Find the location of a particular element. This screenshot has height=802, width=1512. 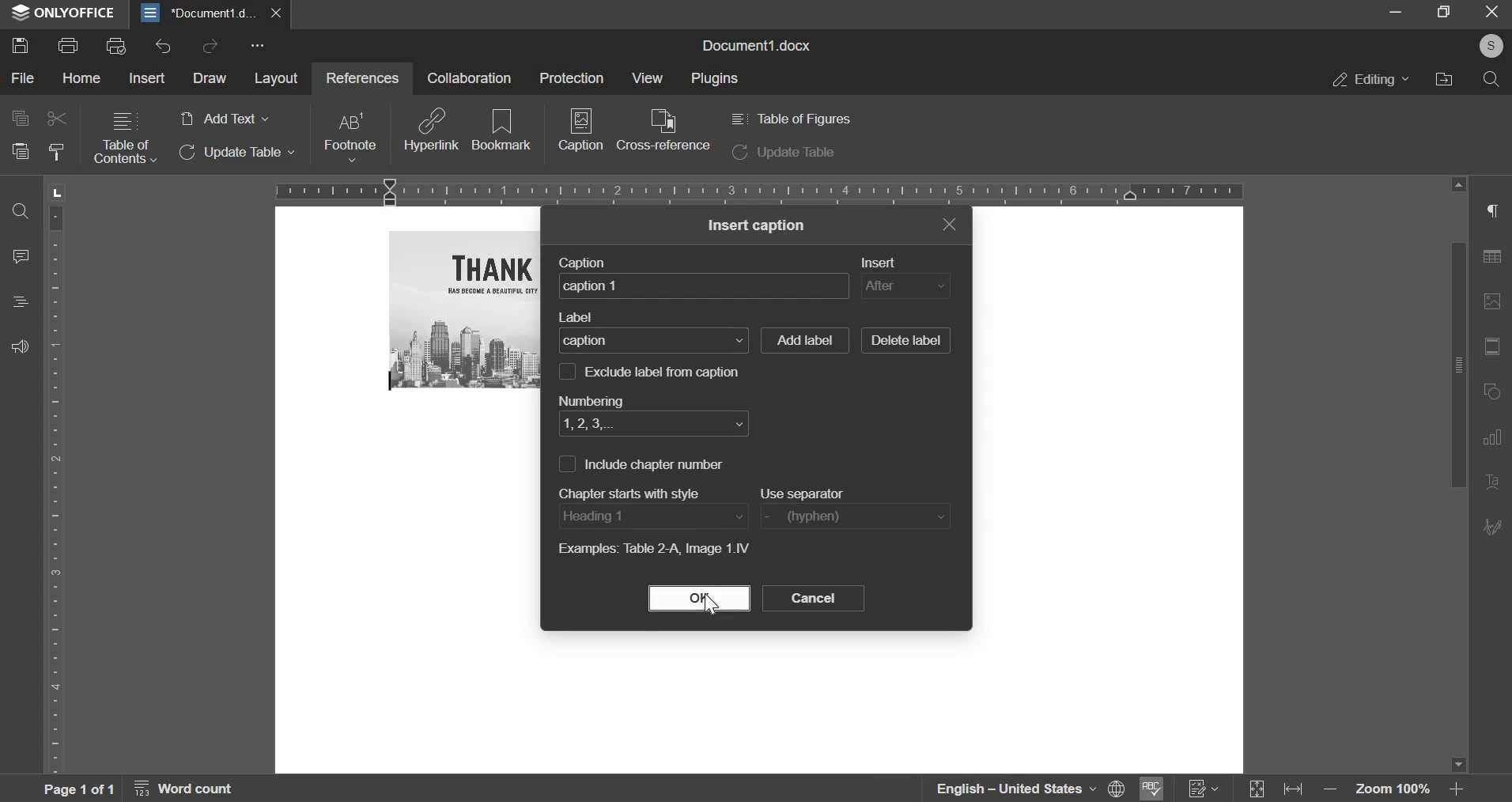

Zoom out is located at coordinates (1334, 793).